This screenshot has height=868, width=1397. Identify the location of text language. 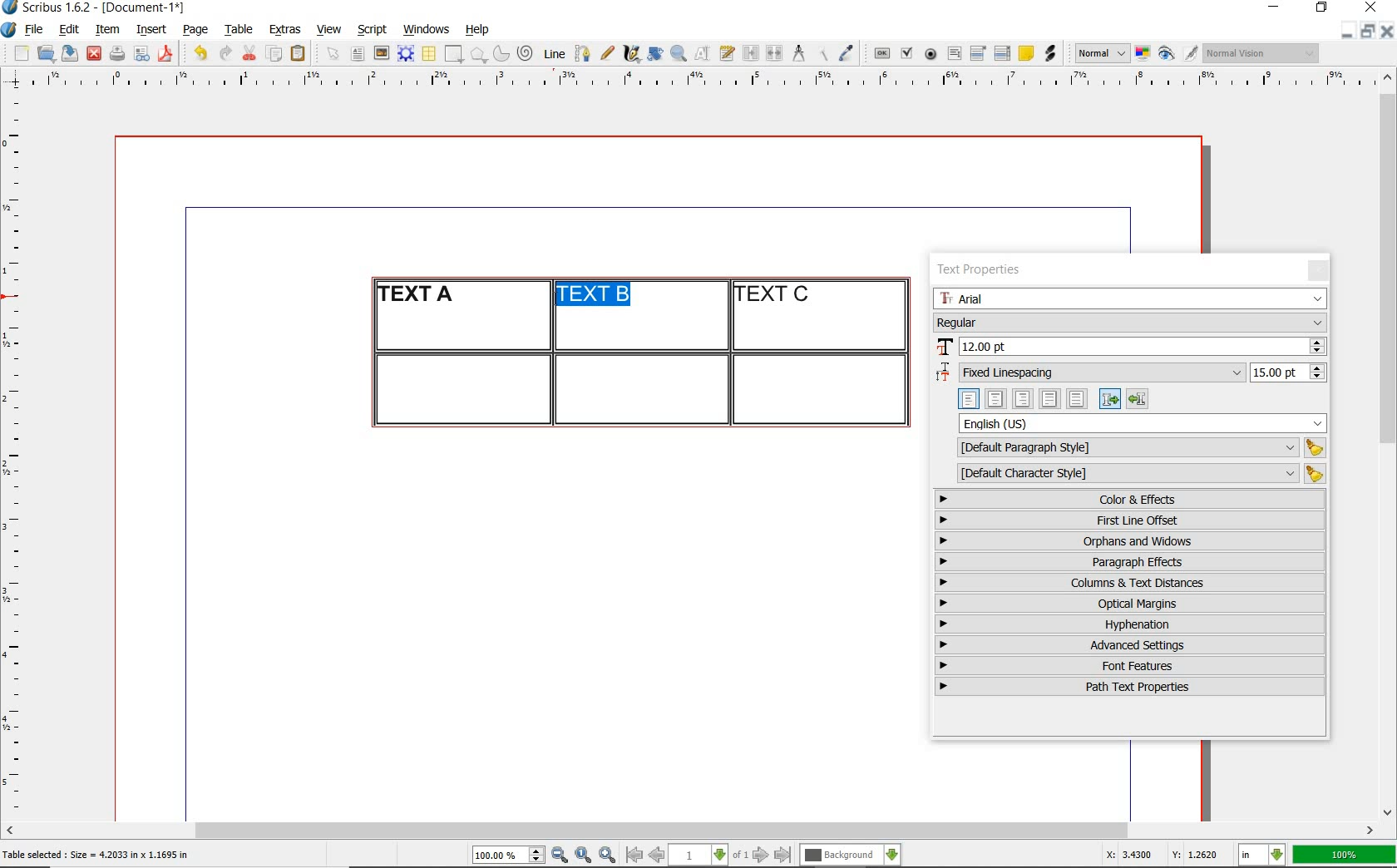
(1143, 423).